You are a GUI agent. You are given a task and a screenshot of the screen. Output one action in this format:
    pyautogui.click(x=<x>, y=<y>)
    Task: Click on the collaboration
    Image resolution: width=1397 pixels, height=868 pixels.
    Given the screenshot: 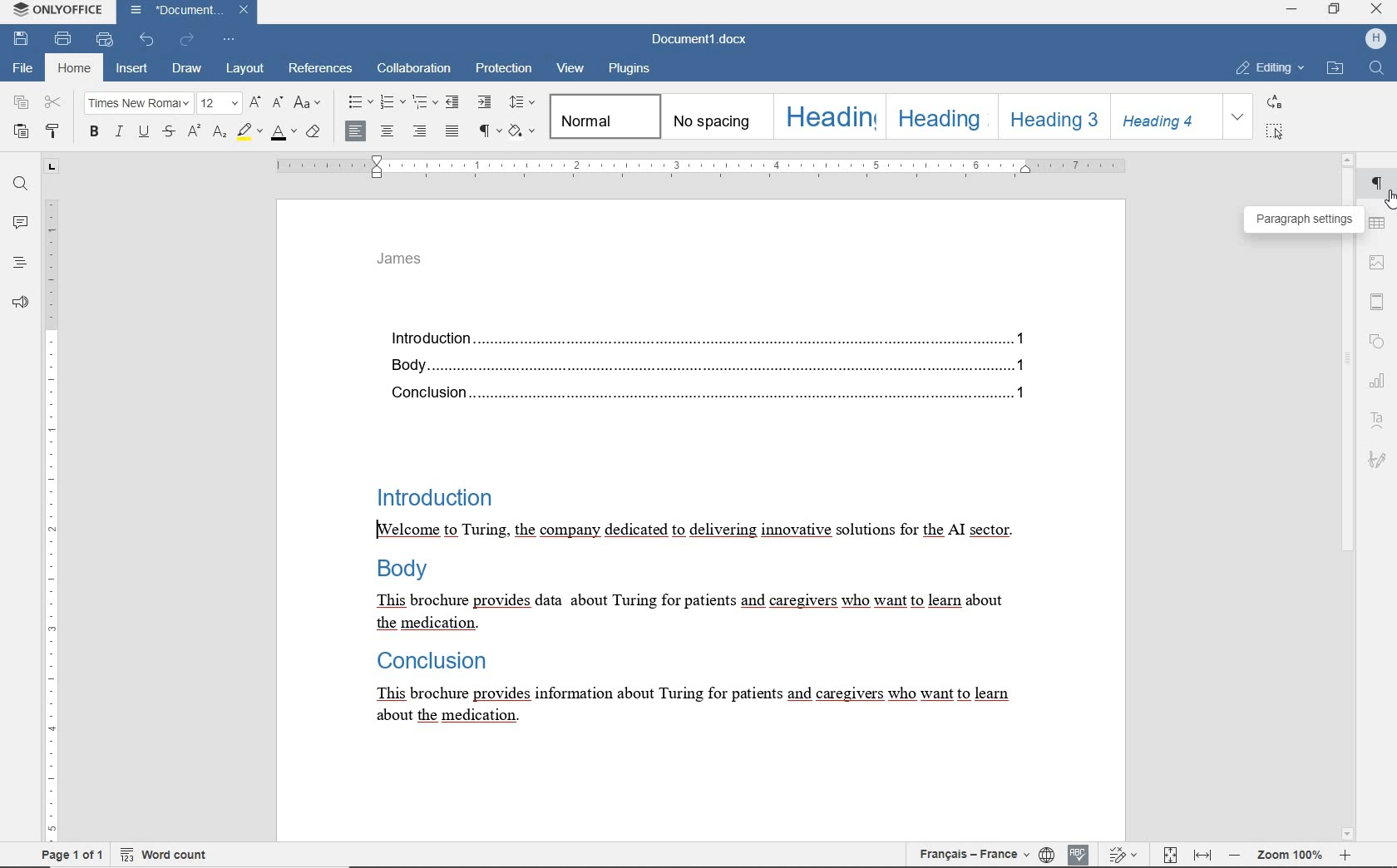 What is the action you would take?
    pyautogui.click(x=412, y=68)
    